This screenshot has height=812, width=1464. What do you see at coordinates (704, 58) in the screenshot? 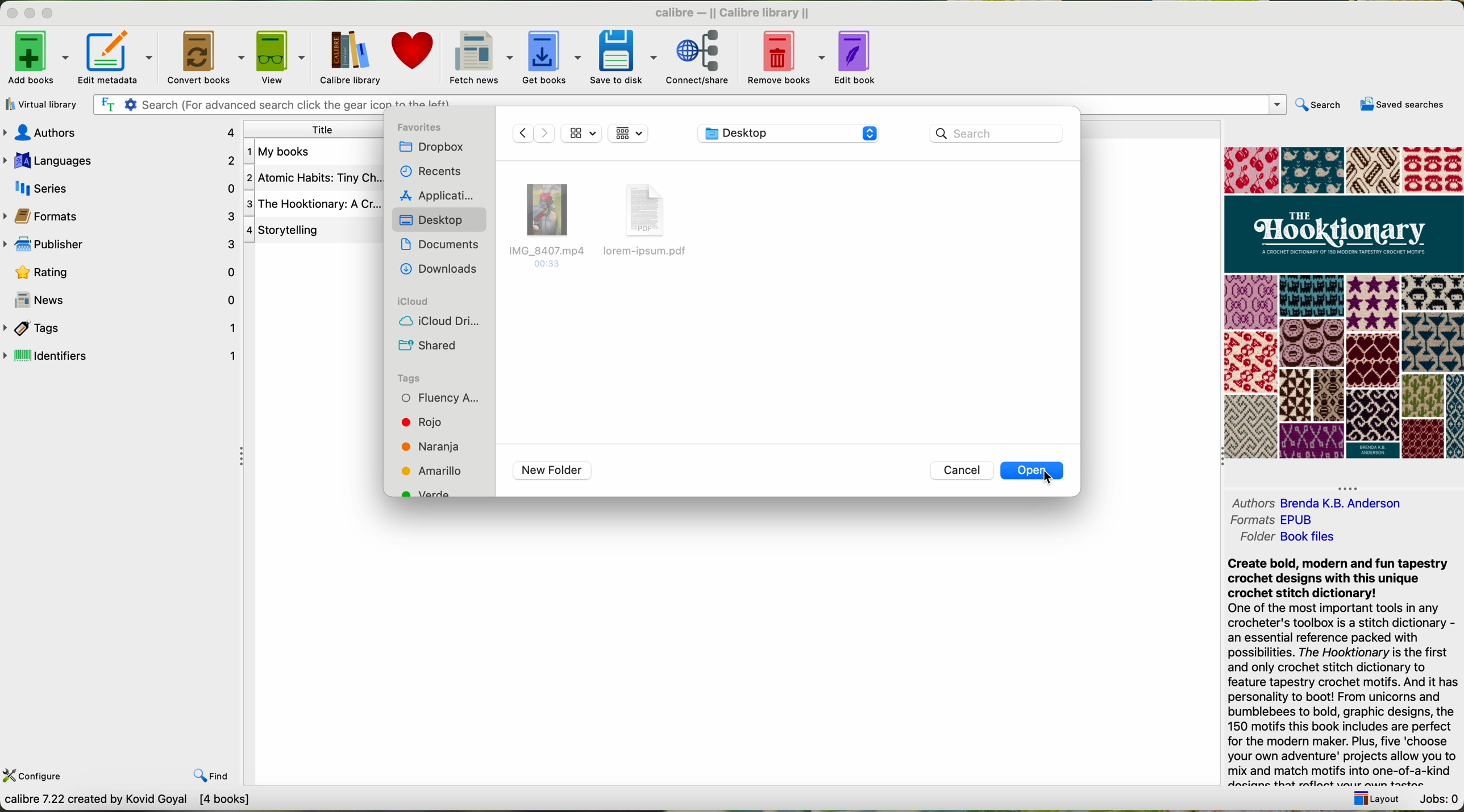
I see `connect share` at bounding box center [704, 58].